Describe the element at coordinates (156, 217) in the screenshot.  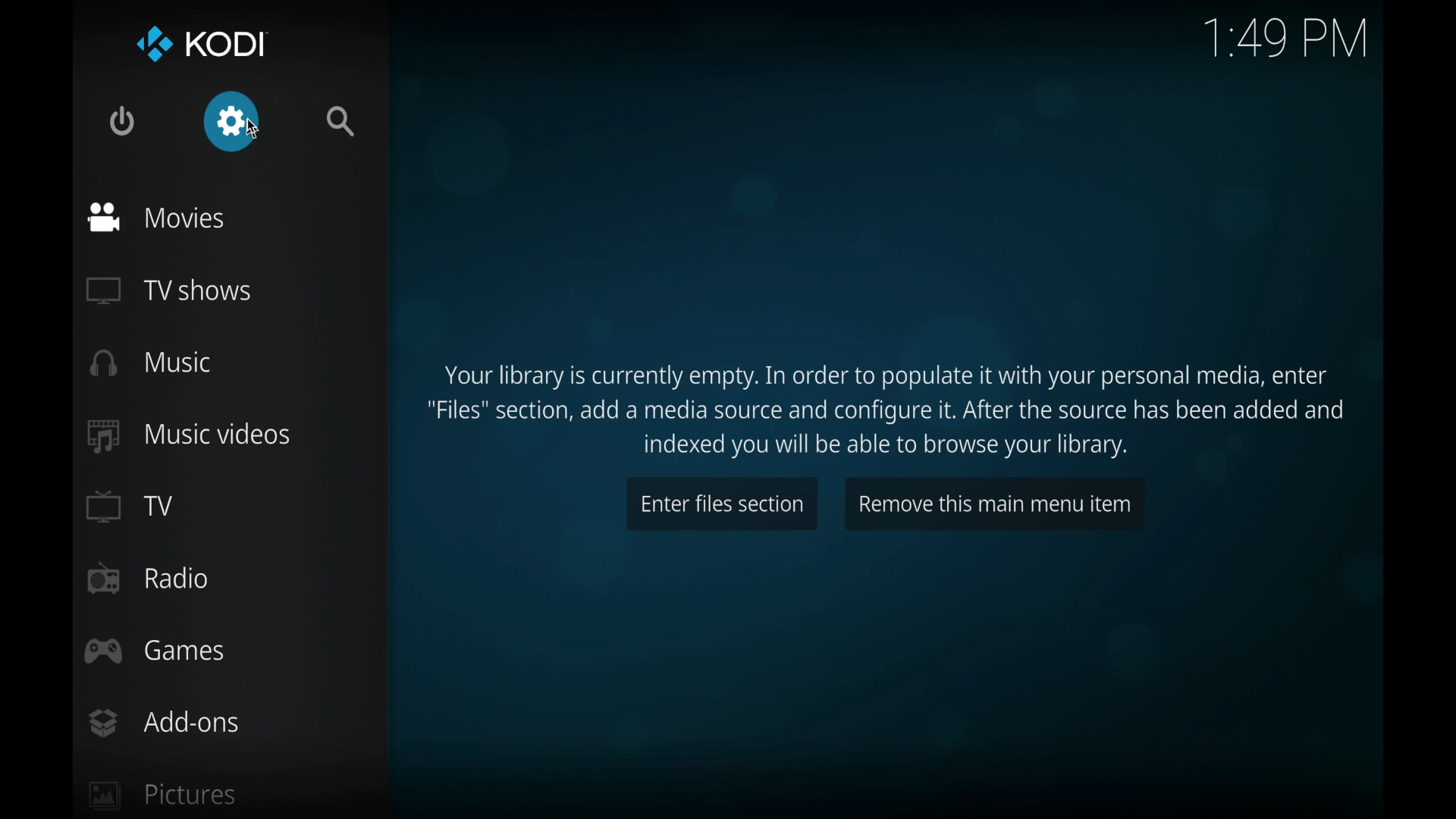
I see `movies` at that location.